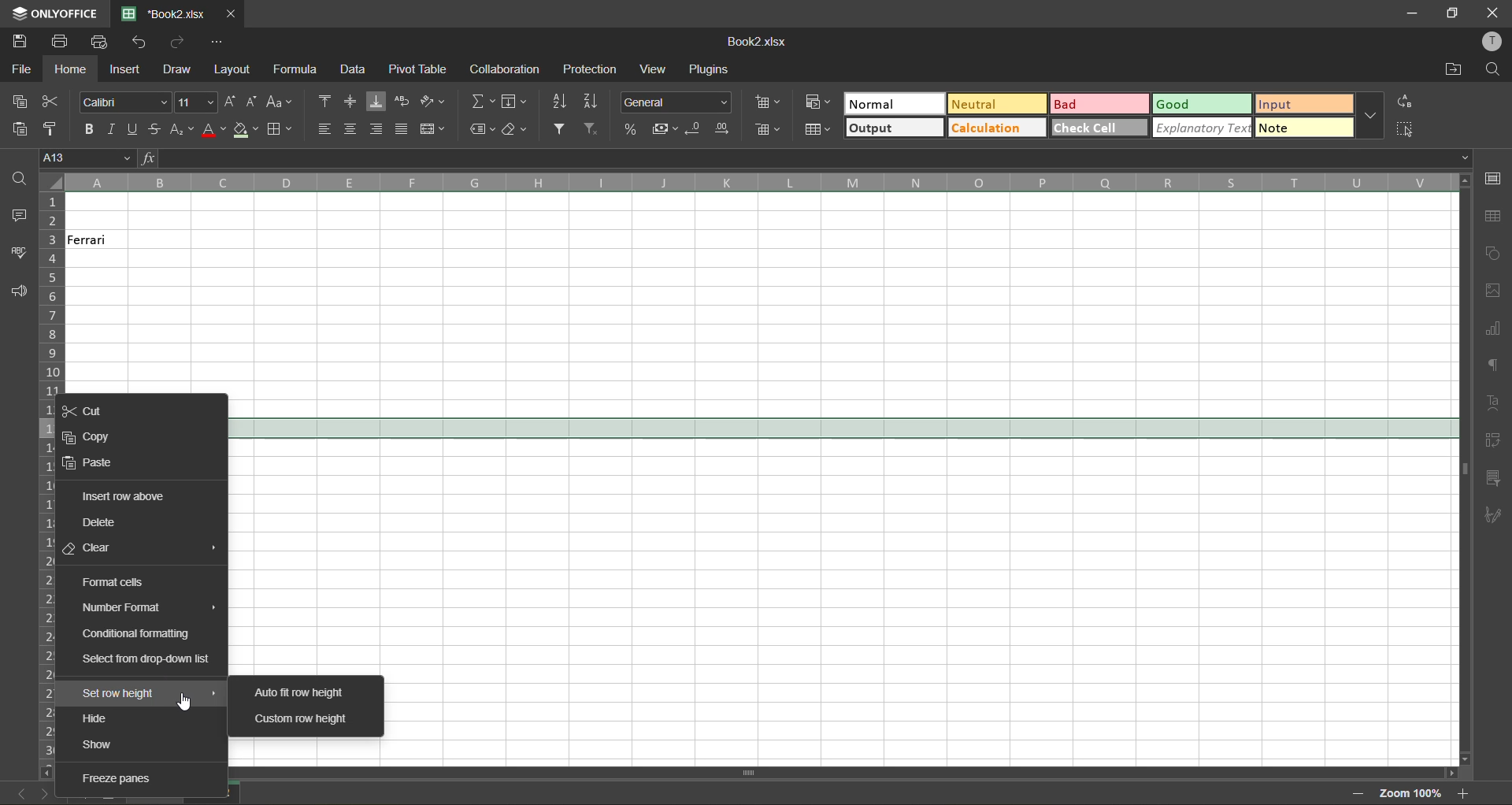  Describe the element at coordinates (838, 427) in the screenshot. I see `selected row` at that location.